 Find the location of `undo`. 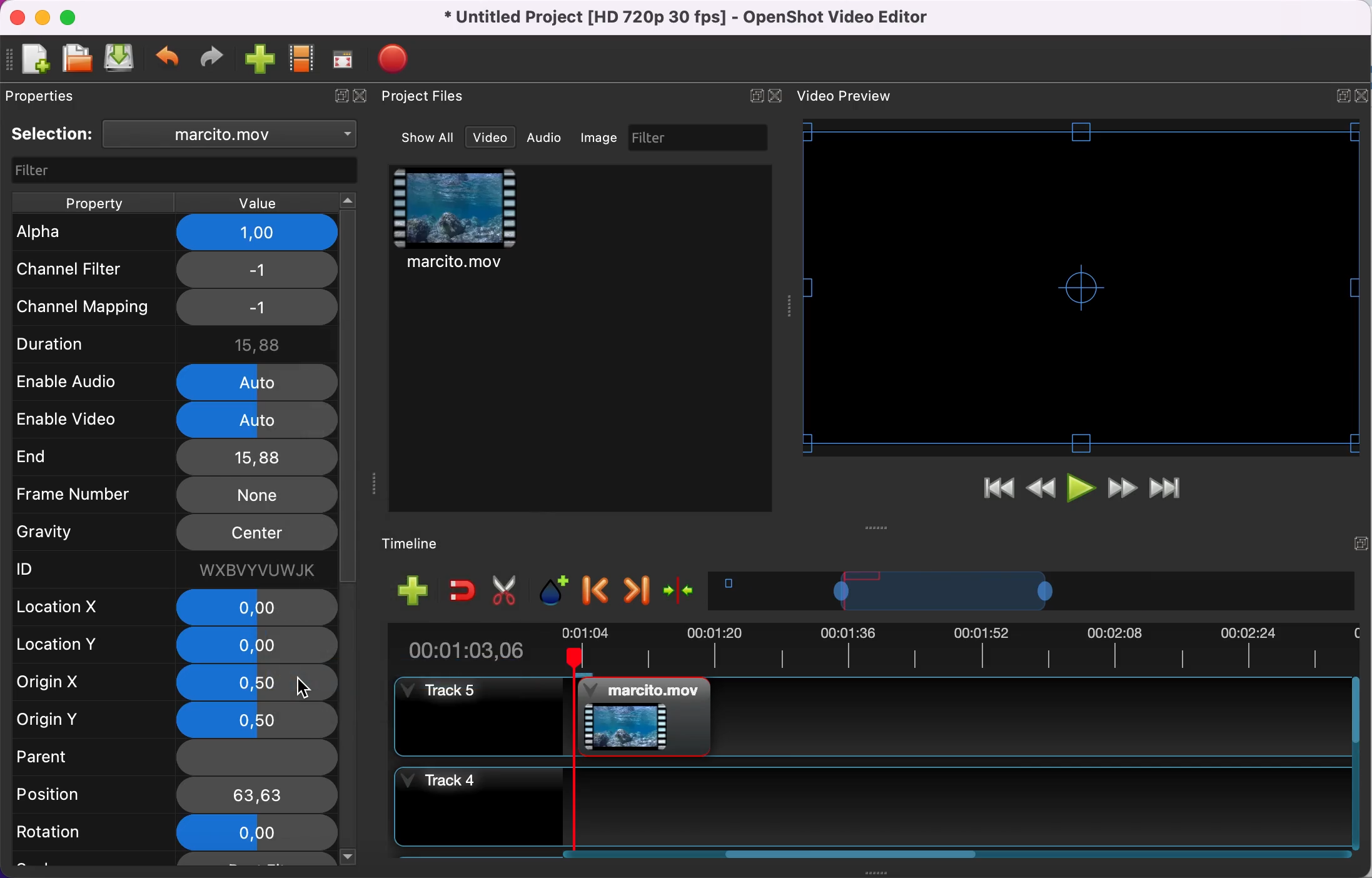

undo is located at coordinates (169, 59).